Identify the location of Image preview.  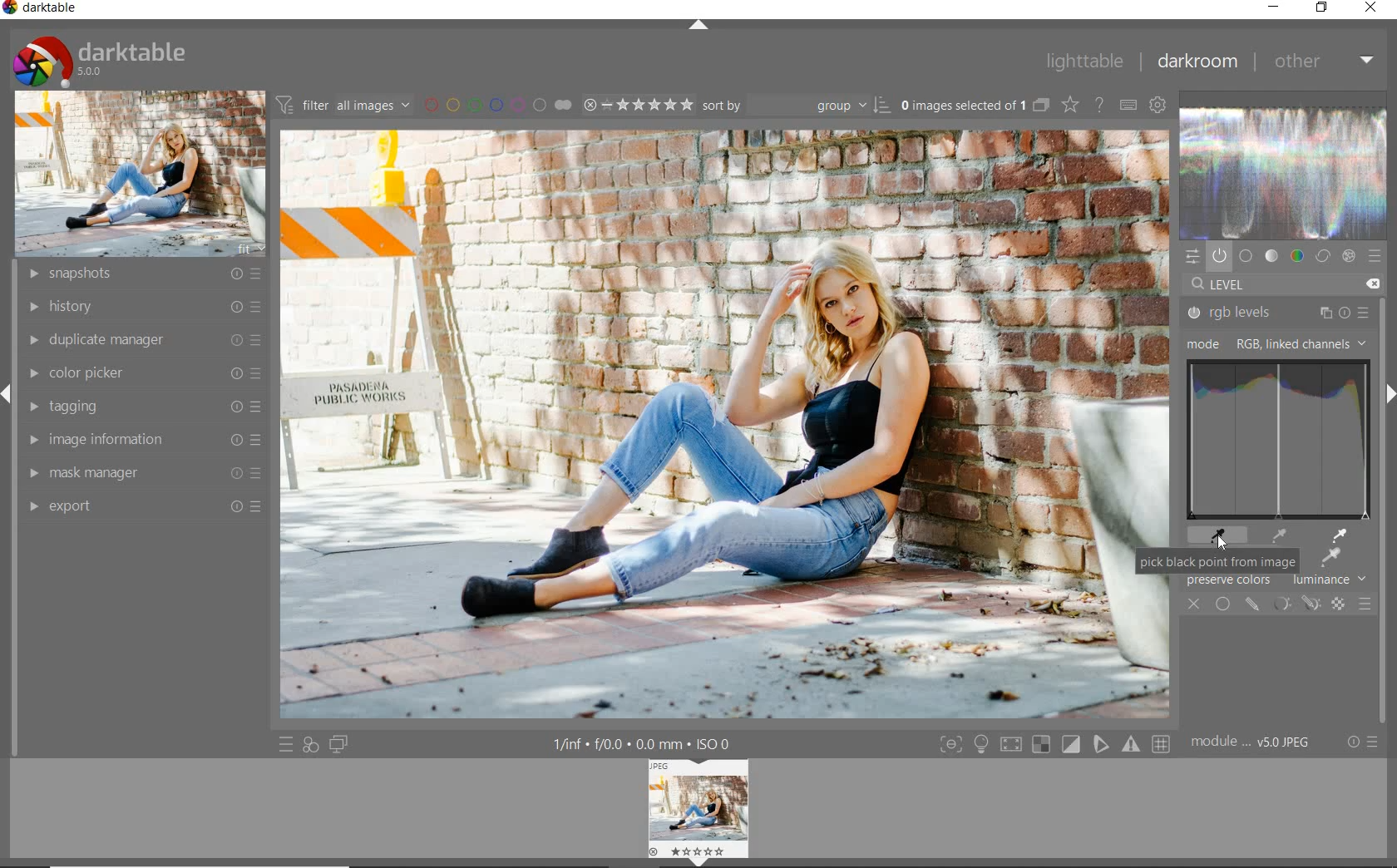
(696, 813).